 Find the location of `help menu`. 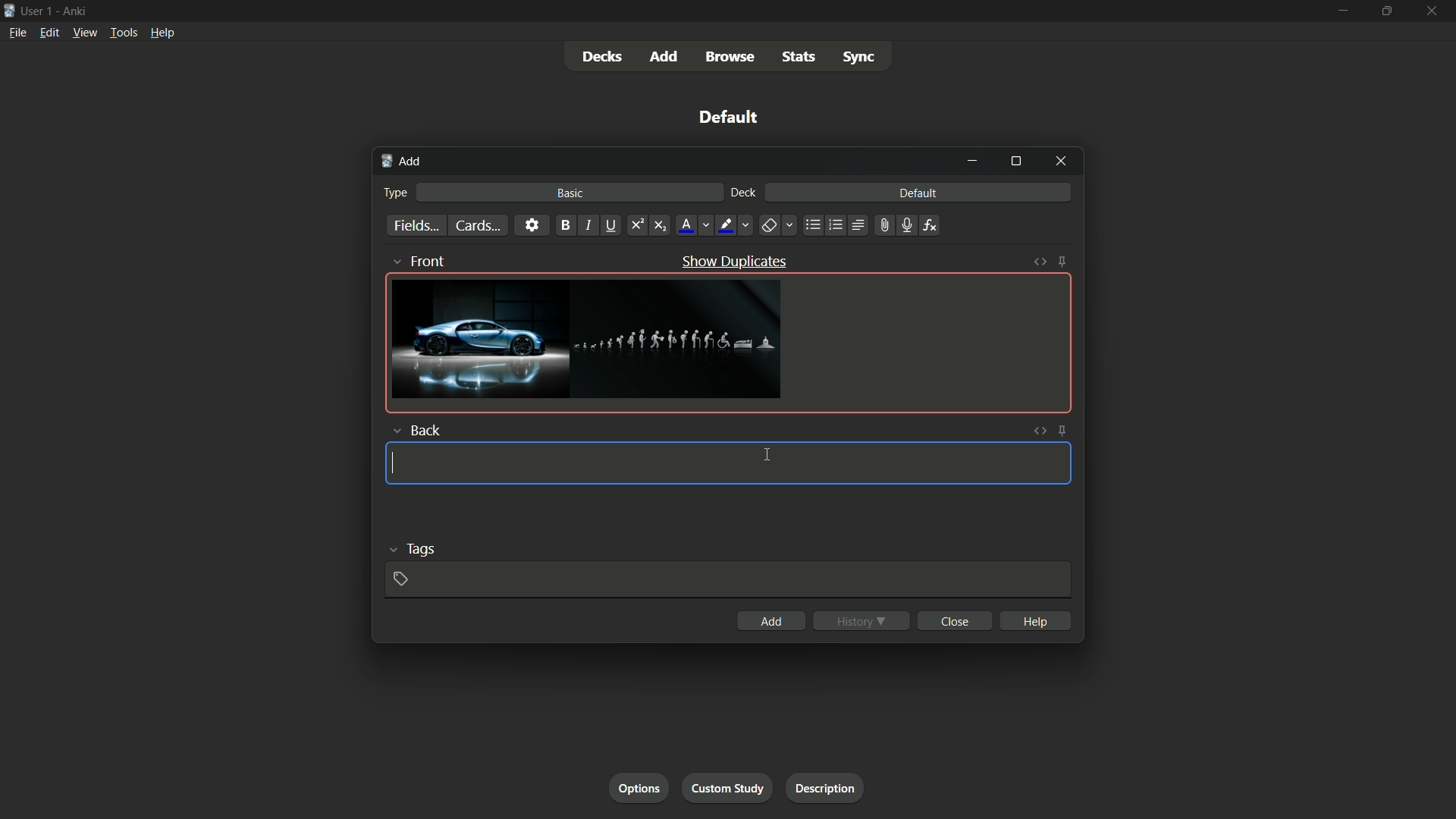

help menu is located at coordinates (162, 34).